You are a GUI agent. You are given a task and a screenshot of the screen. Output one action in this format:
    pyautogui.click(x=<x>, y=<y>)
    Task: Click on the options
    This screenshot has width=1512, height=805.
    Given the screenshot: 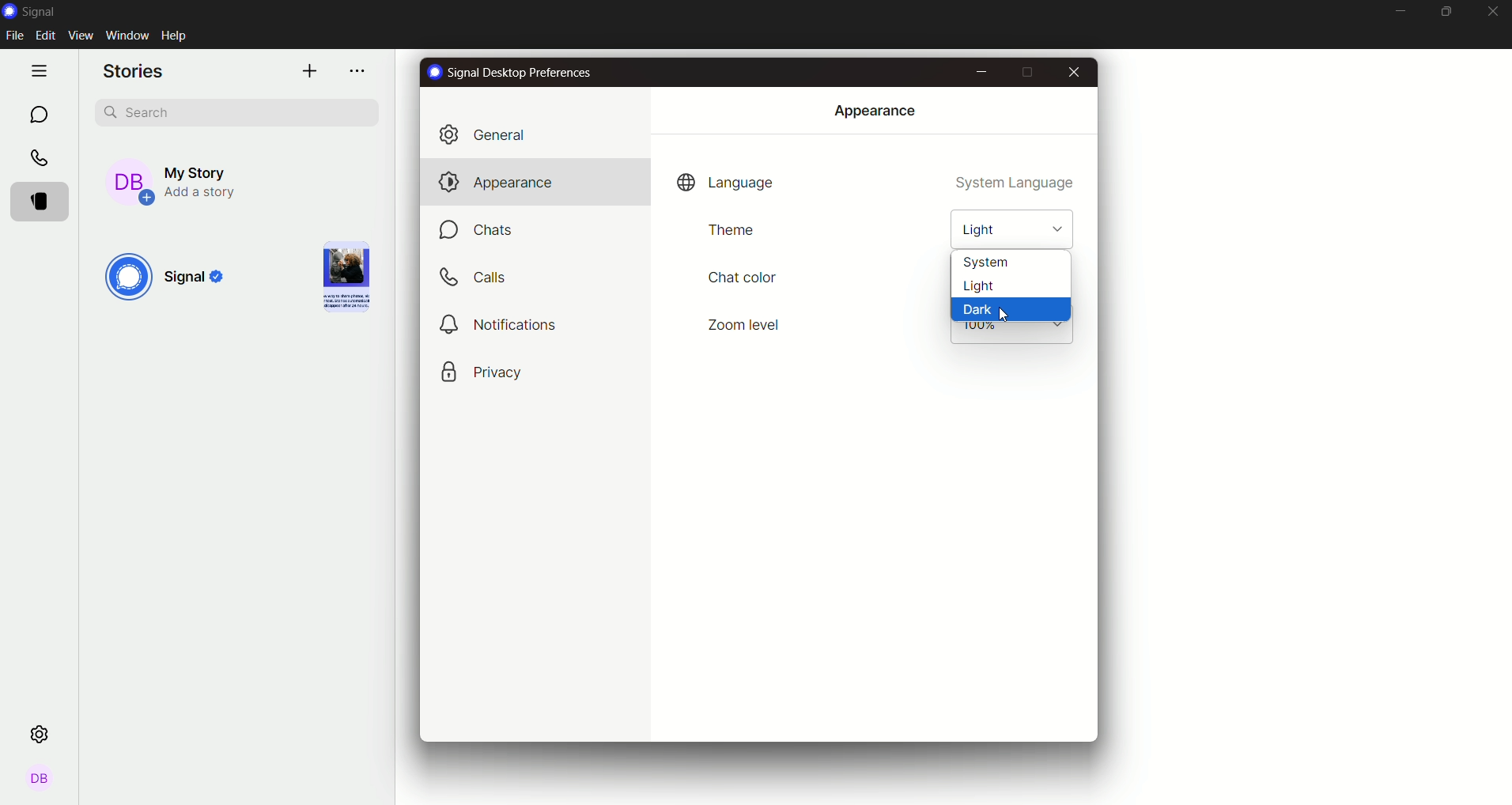 What is the action you would take?
    pyautogui.click(x=360, y=72)
    